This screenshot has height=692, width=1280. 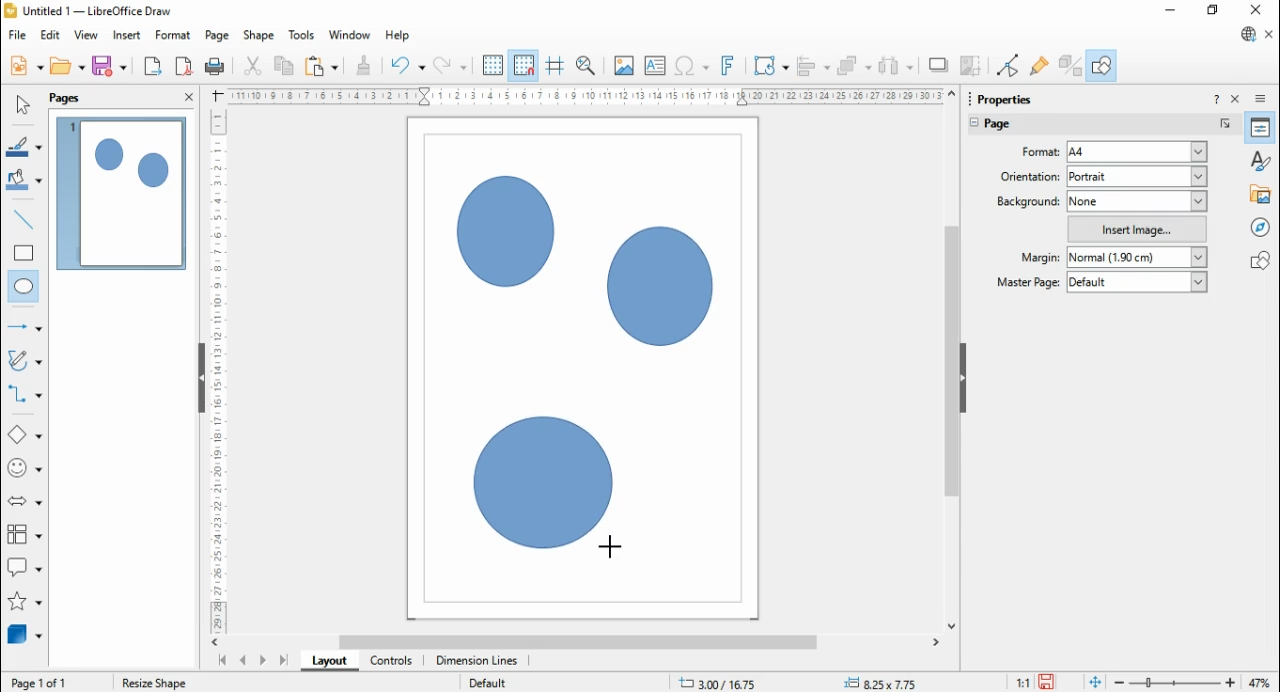 I want to click on snap to grid, so click(x=525, y=65).